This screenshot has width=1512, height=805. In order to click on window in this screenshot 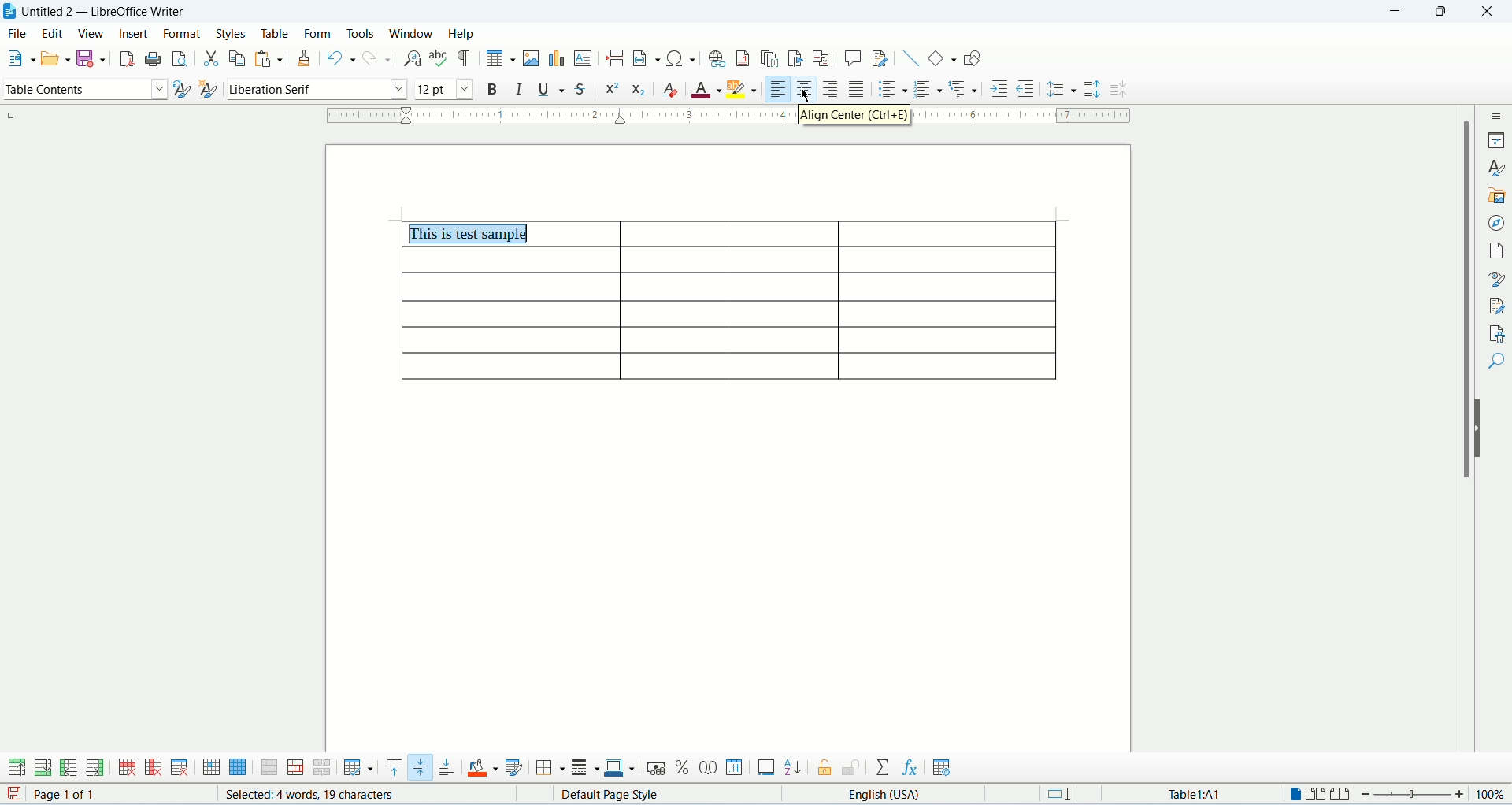, I will do `click(413, 33)`.